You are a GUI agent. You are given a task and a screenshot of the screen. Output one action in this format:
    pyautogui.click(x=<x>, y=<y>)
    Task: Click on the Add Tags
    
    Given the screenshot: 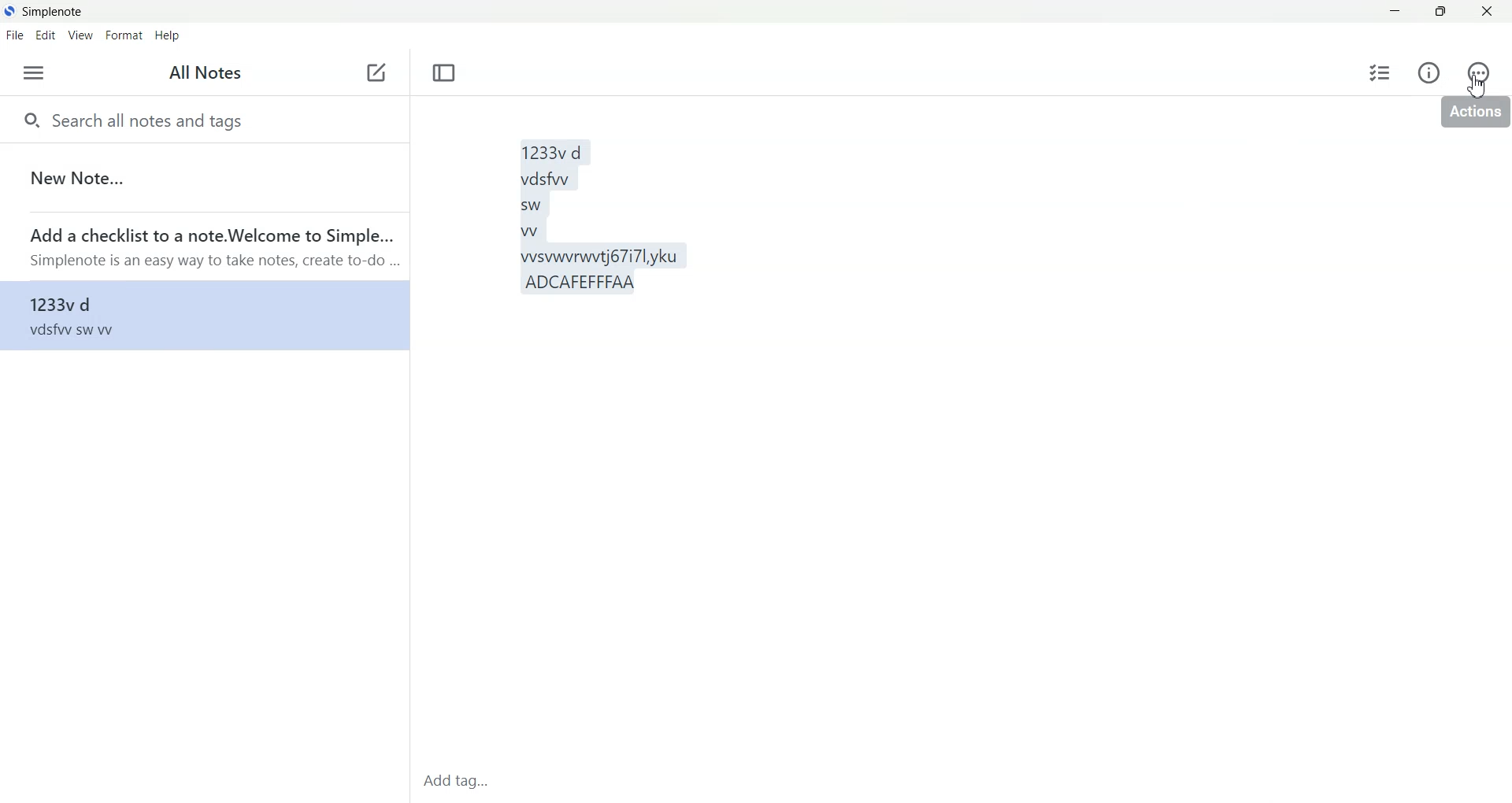 What is the action you would take?
    pyautogui.click(x=461, y=782)
    